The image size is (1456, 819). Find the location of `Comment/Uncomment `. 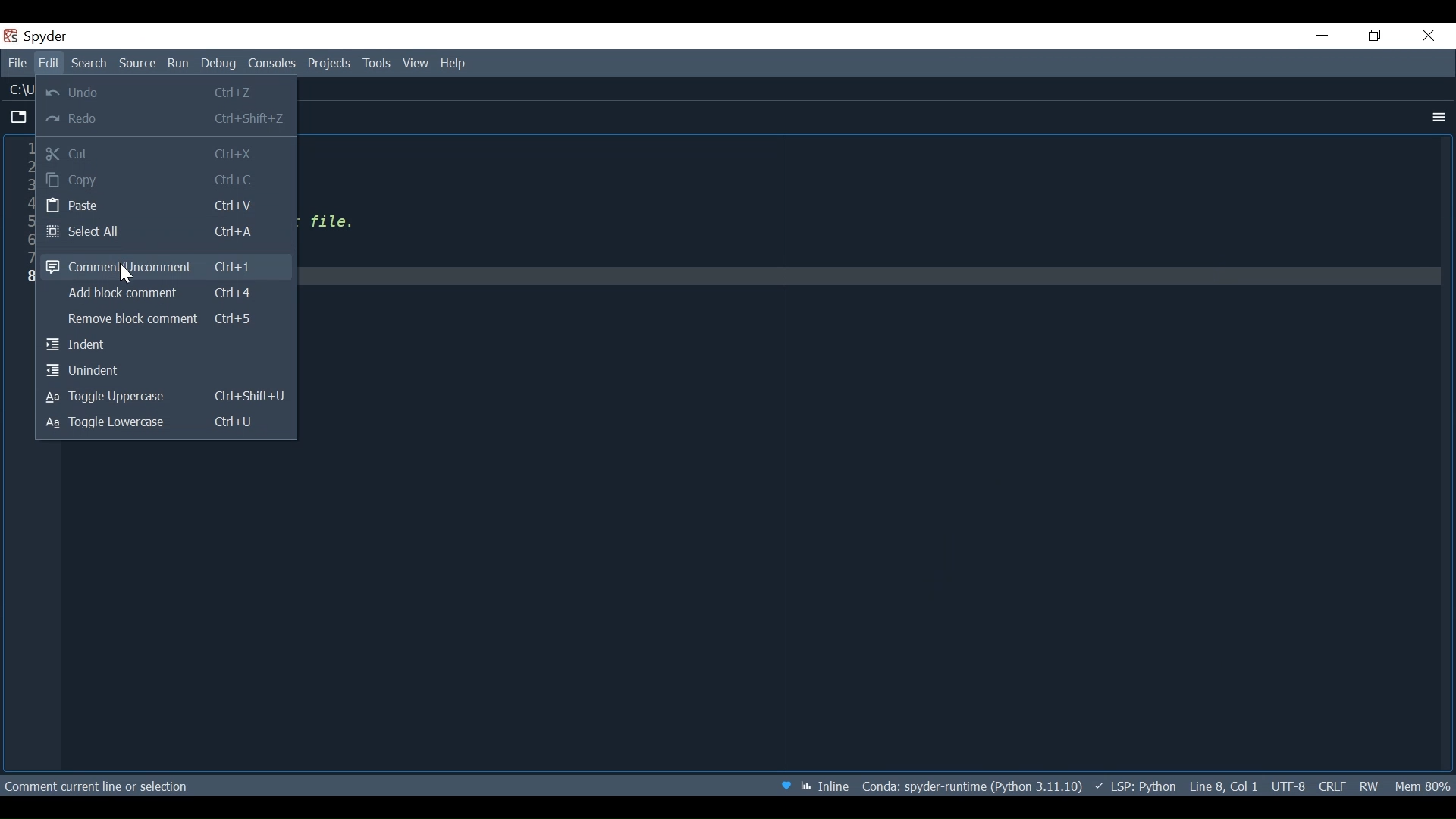

Comment/Uncomment  is located at coordinates (162, 265).